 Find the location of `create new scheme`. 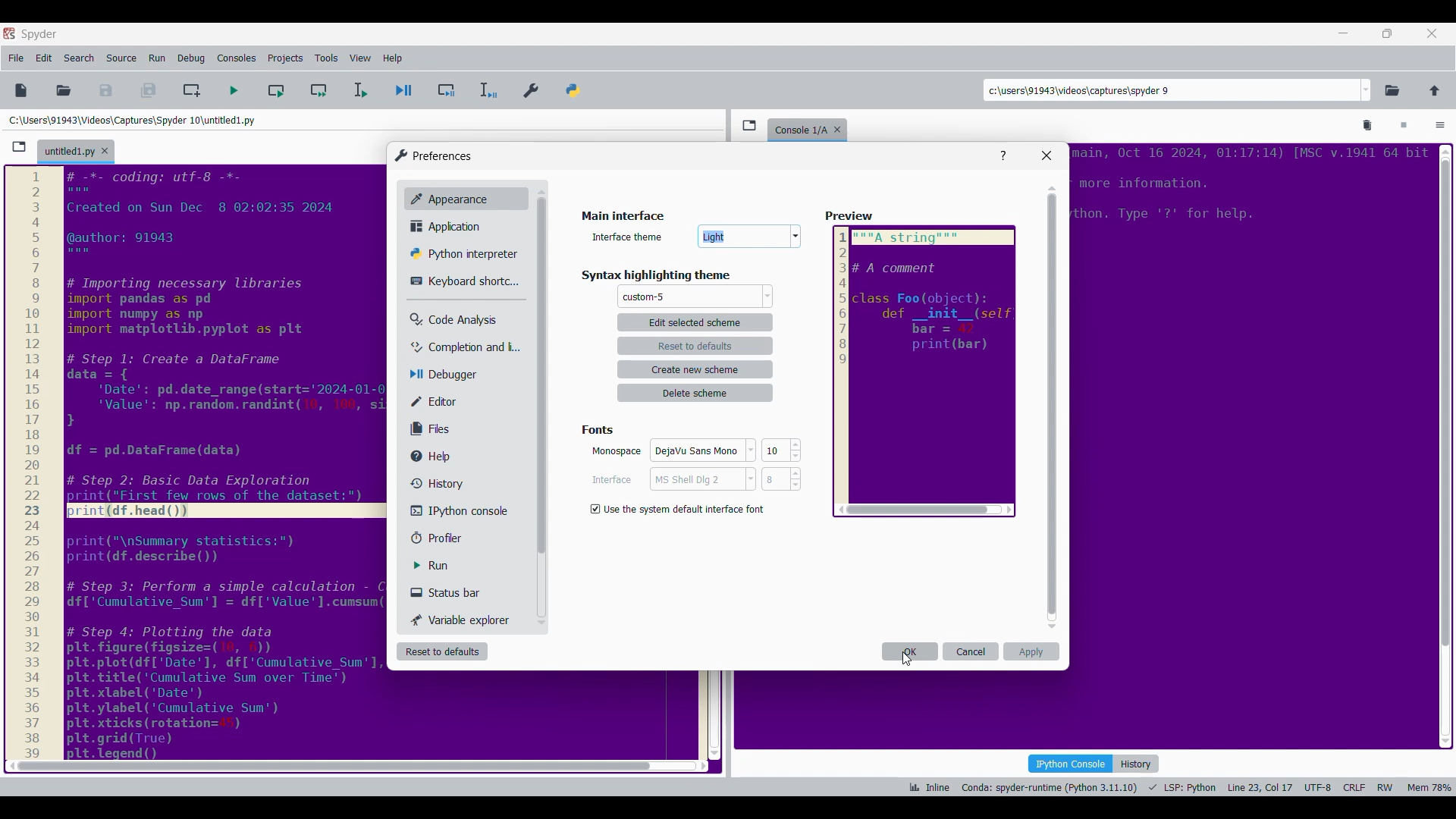

create new scheme is located at coordinates (697, 369).